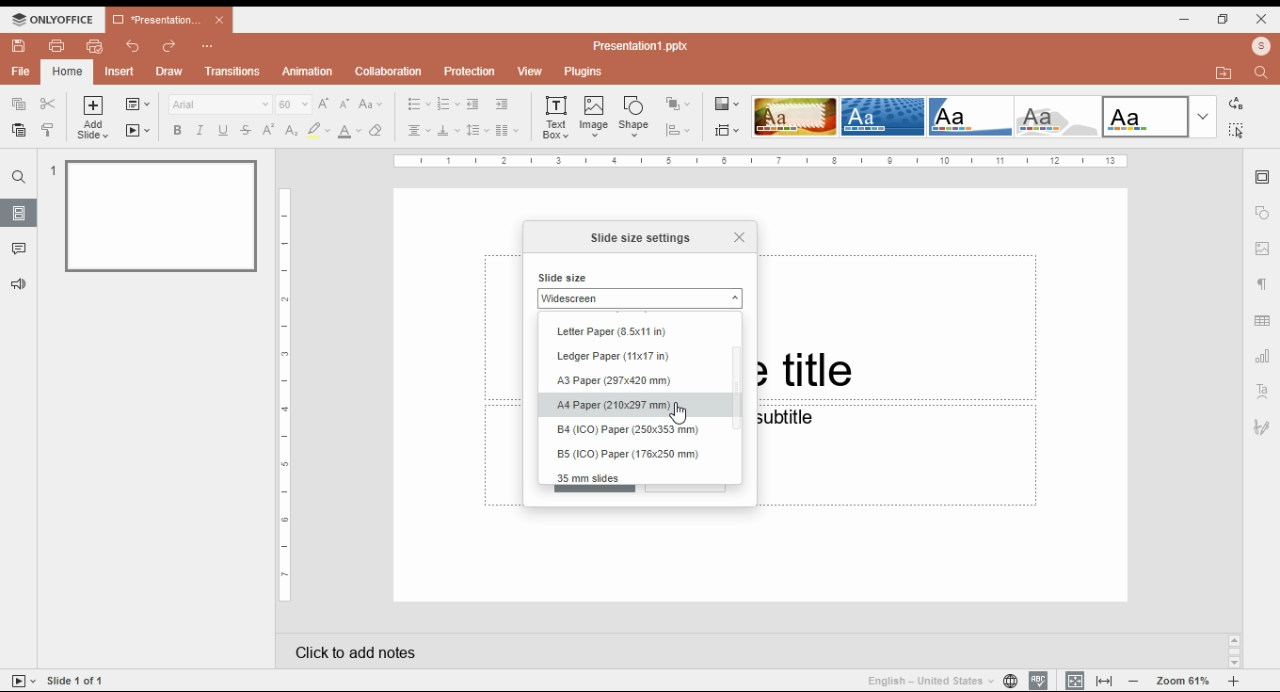 This screenshot has width=1280, height=692. Describe the element at coordinates (17, 102) in the screenshot. I see `copy` at that location.